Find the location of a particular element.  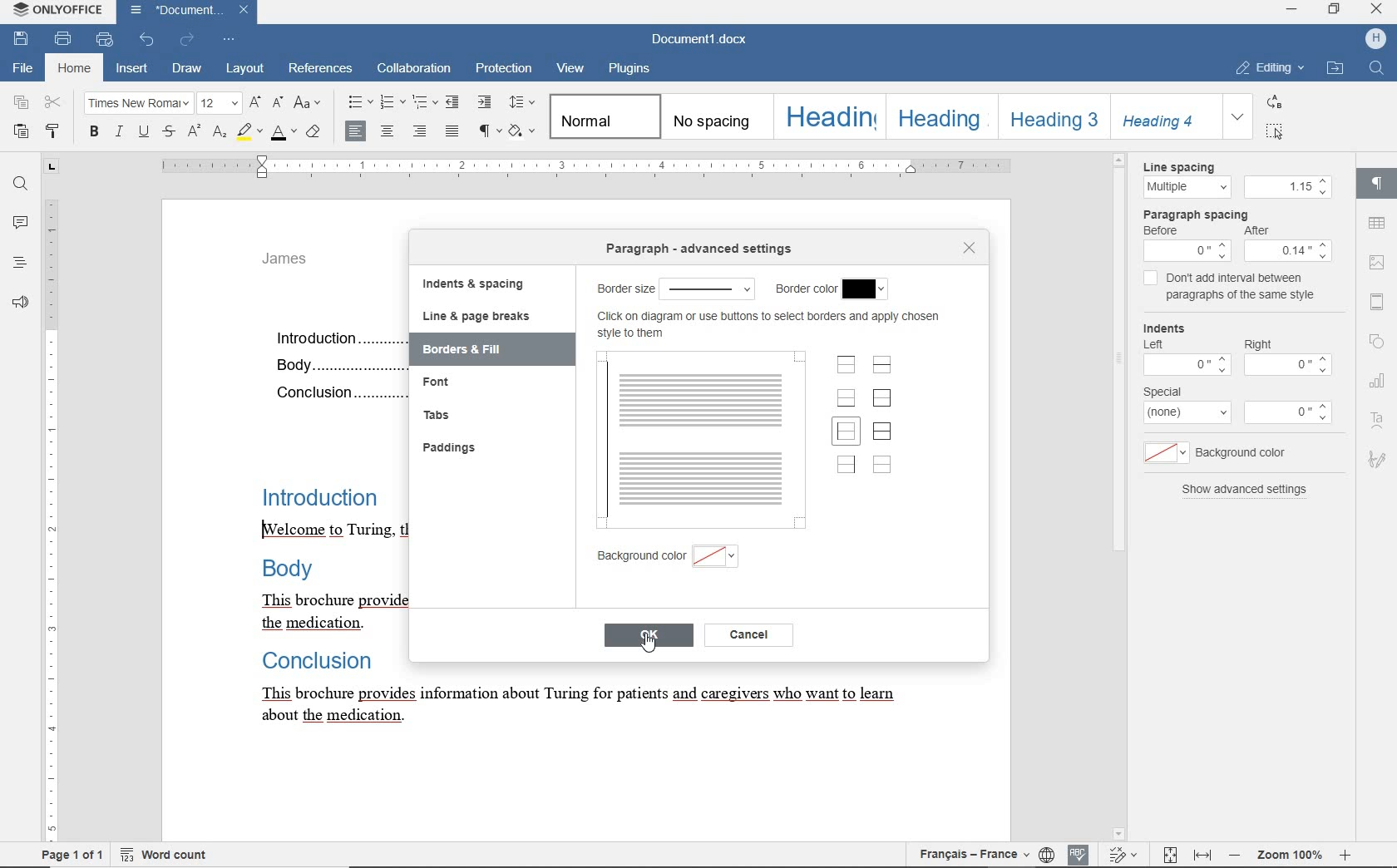

zoom in is located at coordinates (1349, 855).